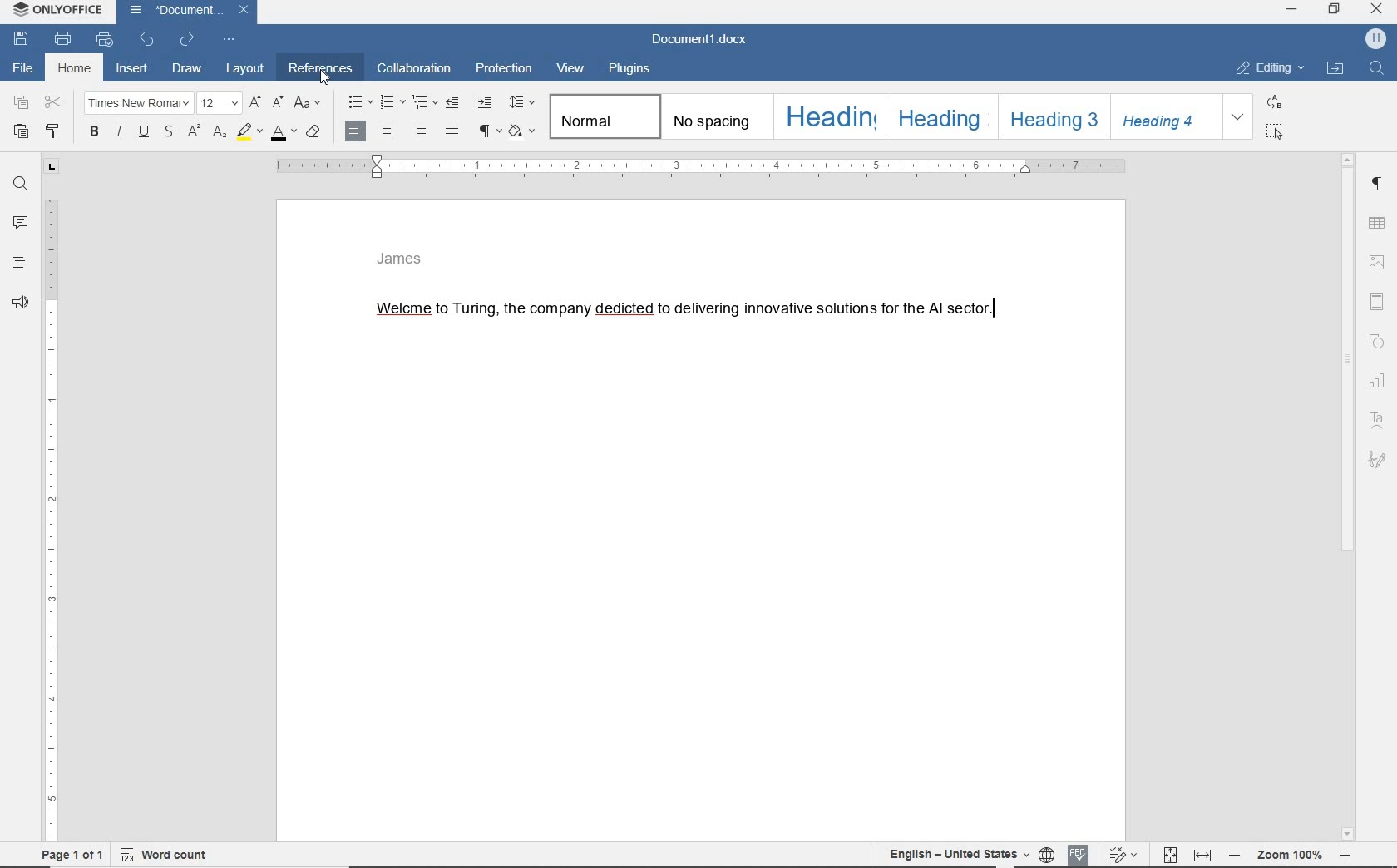 This screenshot has width=1397, height=868. I want to click on normal, so click(606, 118).